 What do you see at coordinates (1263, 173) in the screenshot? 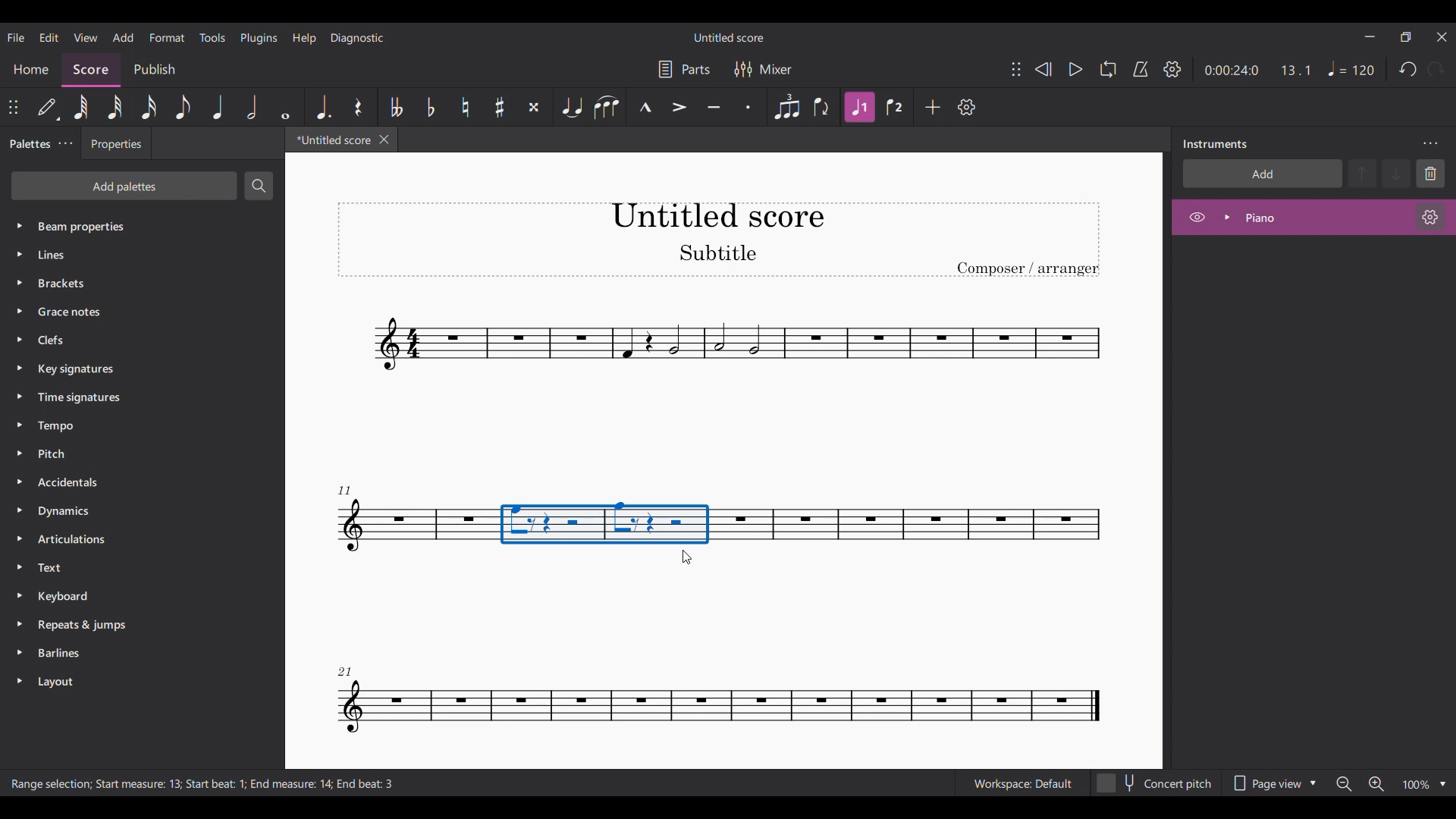
I see `Add instrument` at bounding box center [1263, 173].